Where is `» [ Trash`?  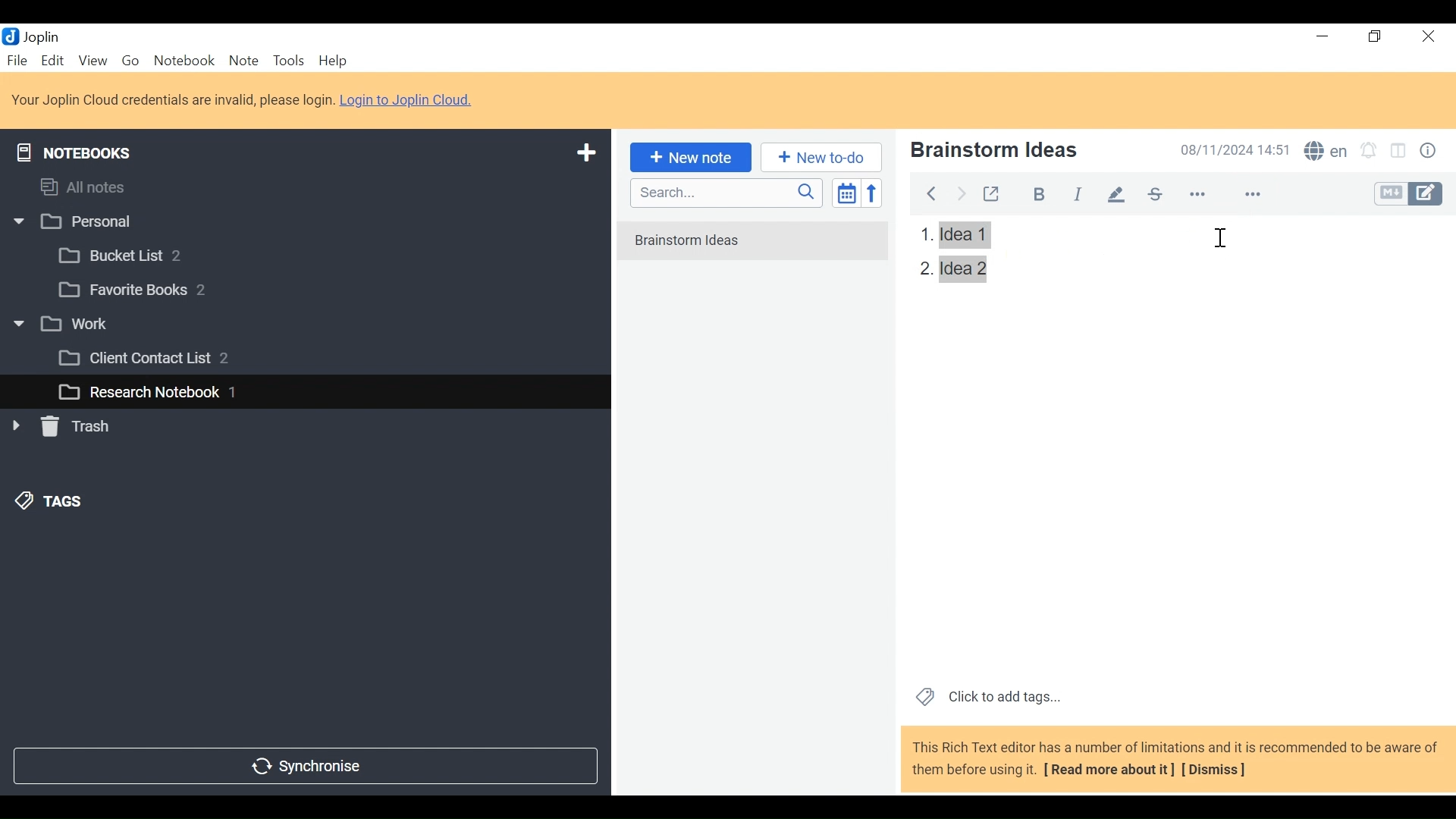 » [ Trash is located at coordinates (80, 426).